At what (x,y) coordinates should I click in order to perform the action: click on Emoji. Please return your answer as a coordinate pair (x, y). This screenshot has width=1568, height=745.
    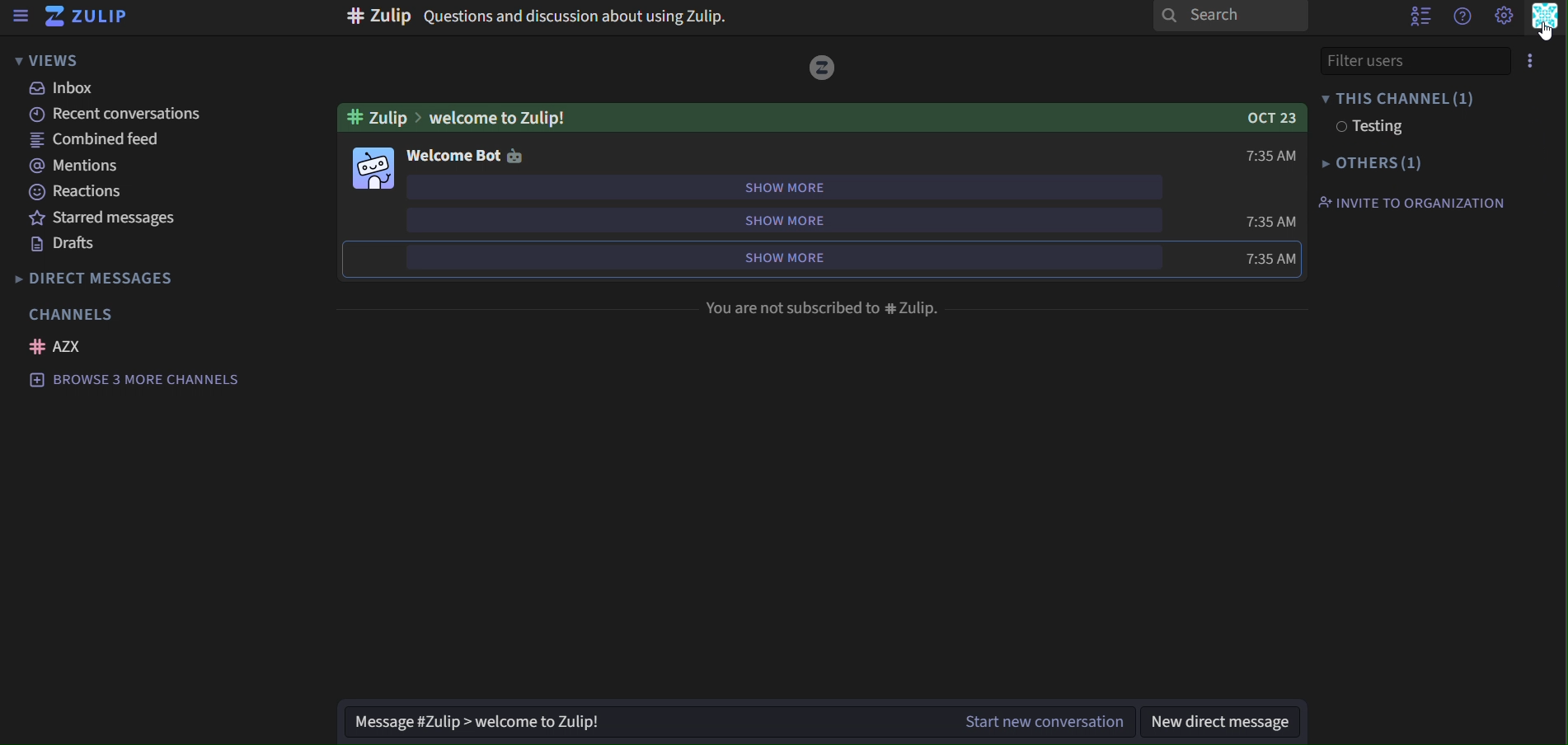
    Looking at the image, I should click on (374, 169).